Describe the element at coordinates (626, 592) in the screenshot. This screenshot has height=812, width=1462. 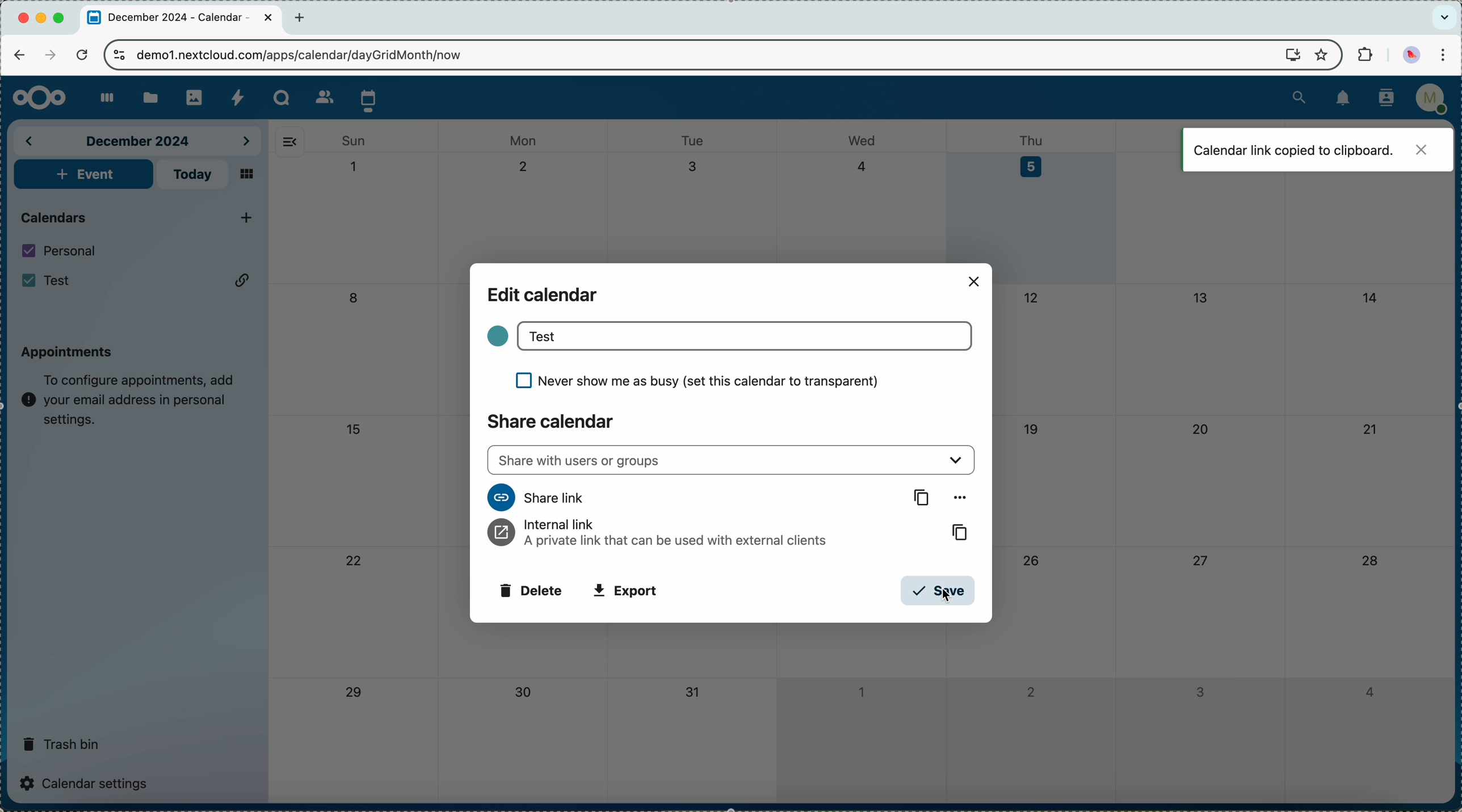
I see `export` at that location.